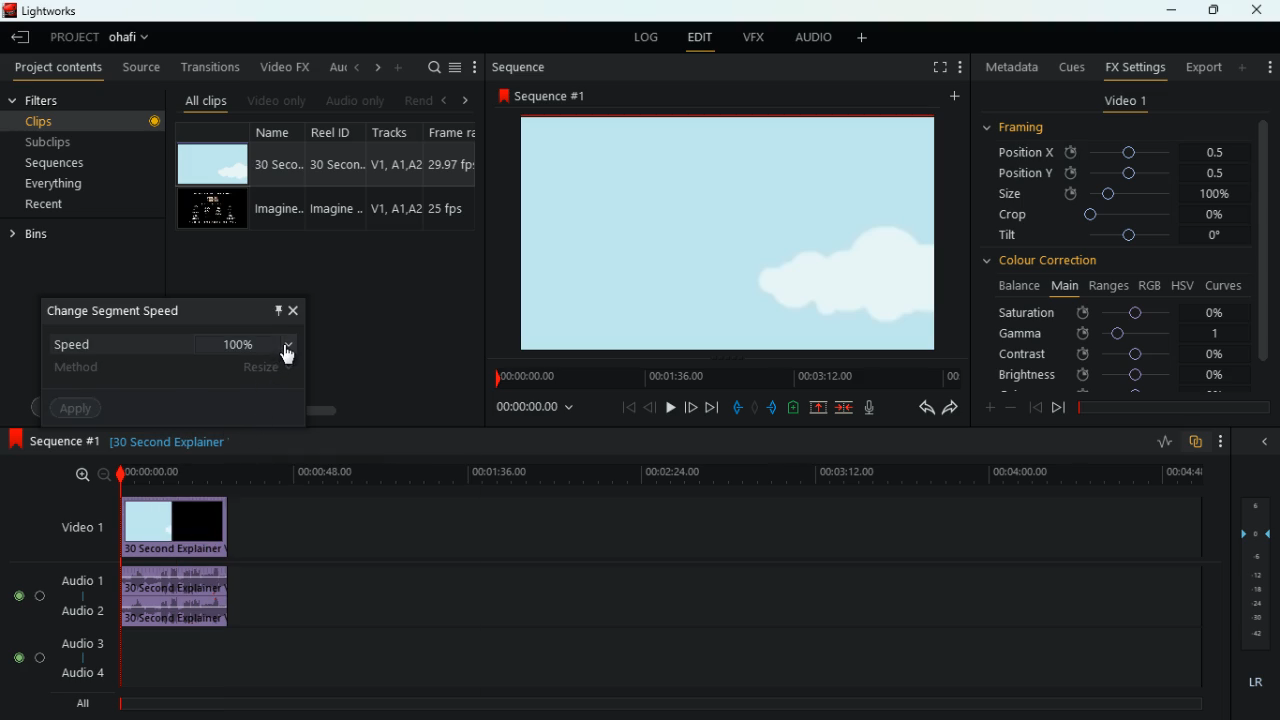 This screenshot has width=1280, height=720. I want to click on rend, so click(412, 98).